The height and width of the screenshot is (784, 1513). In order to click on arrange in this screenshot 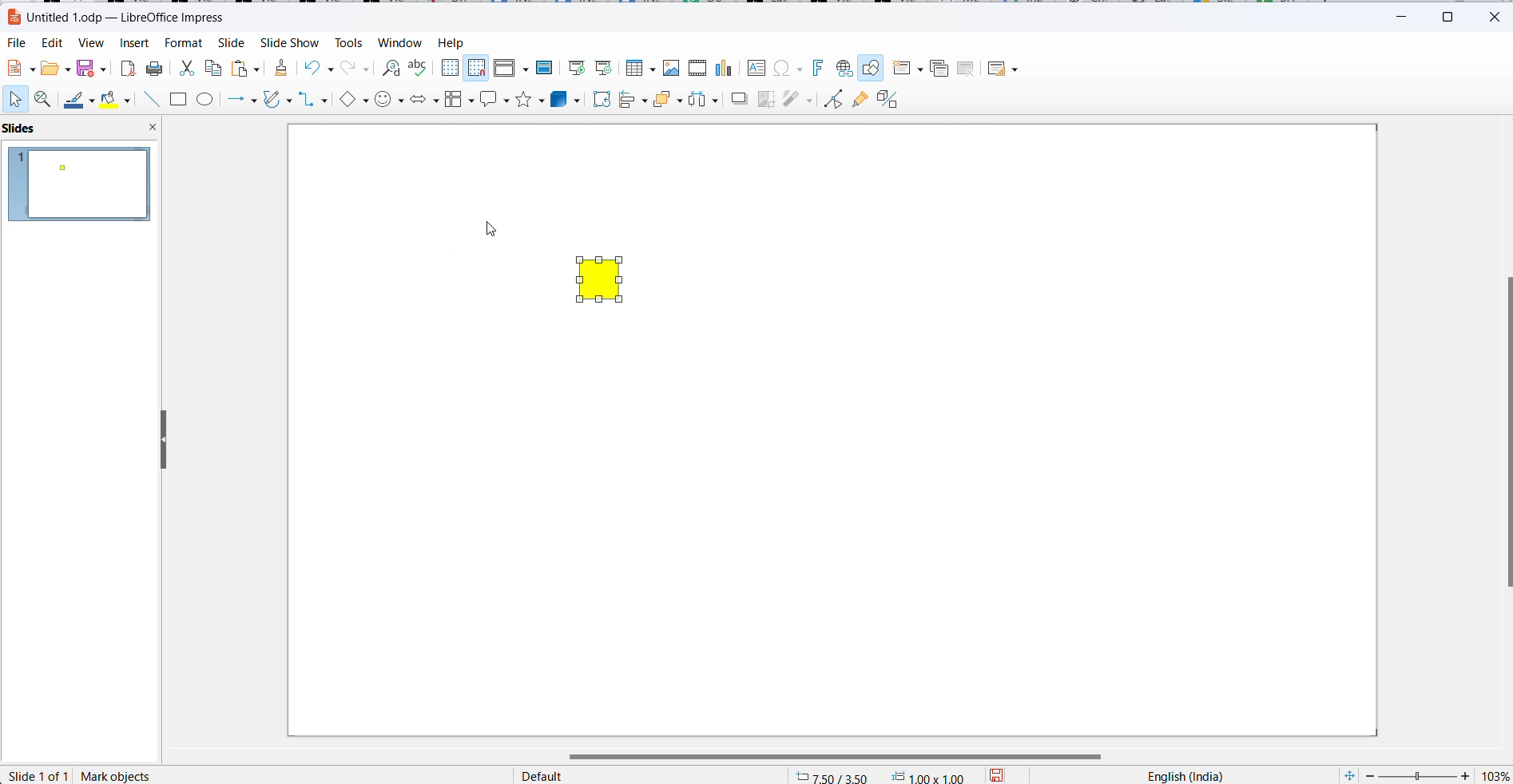, I will do `click(668, 101)`.